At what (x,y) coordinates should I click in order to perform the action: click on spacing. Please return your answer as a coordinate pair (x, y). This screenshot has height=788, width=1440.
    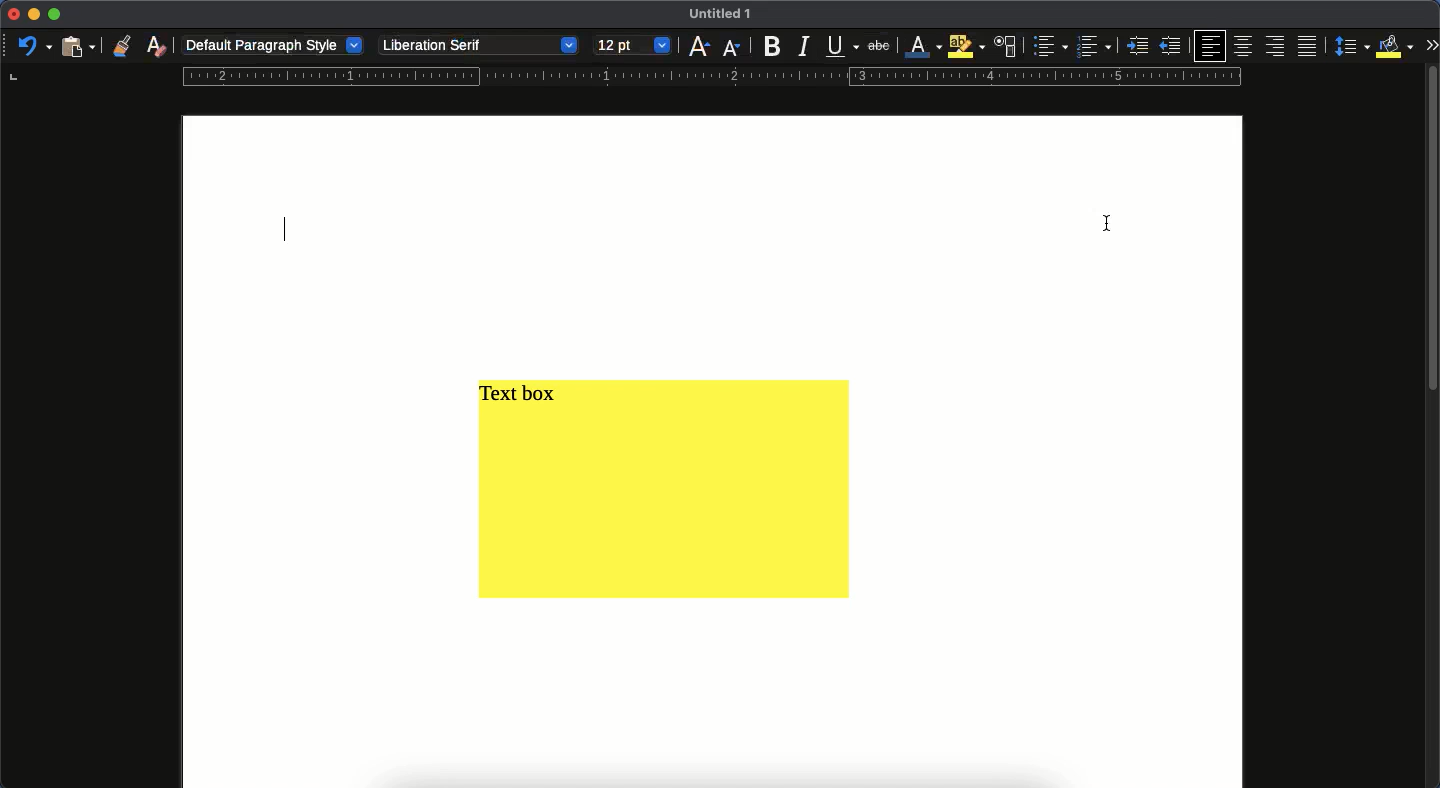
    Looking at the image, I should click on (1353, 45).